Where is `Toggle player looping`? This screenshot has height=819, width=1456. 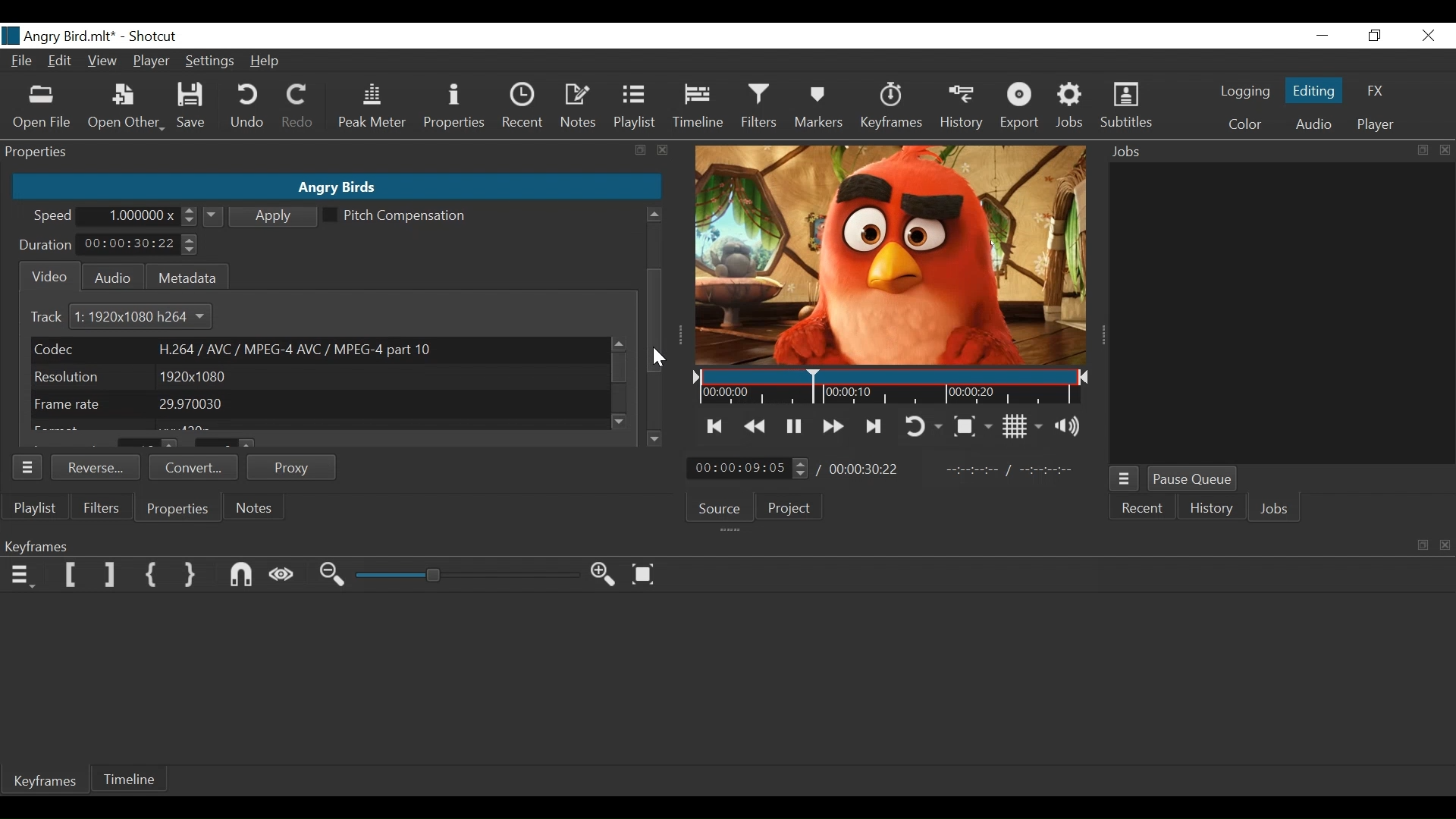 Toggle player looping is located at coordinates (926, 425).